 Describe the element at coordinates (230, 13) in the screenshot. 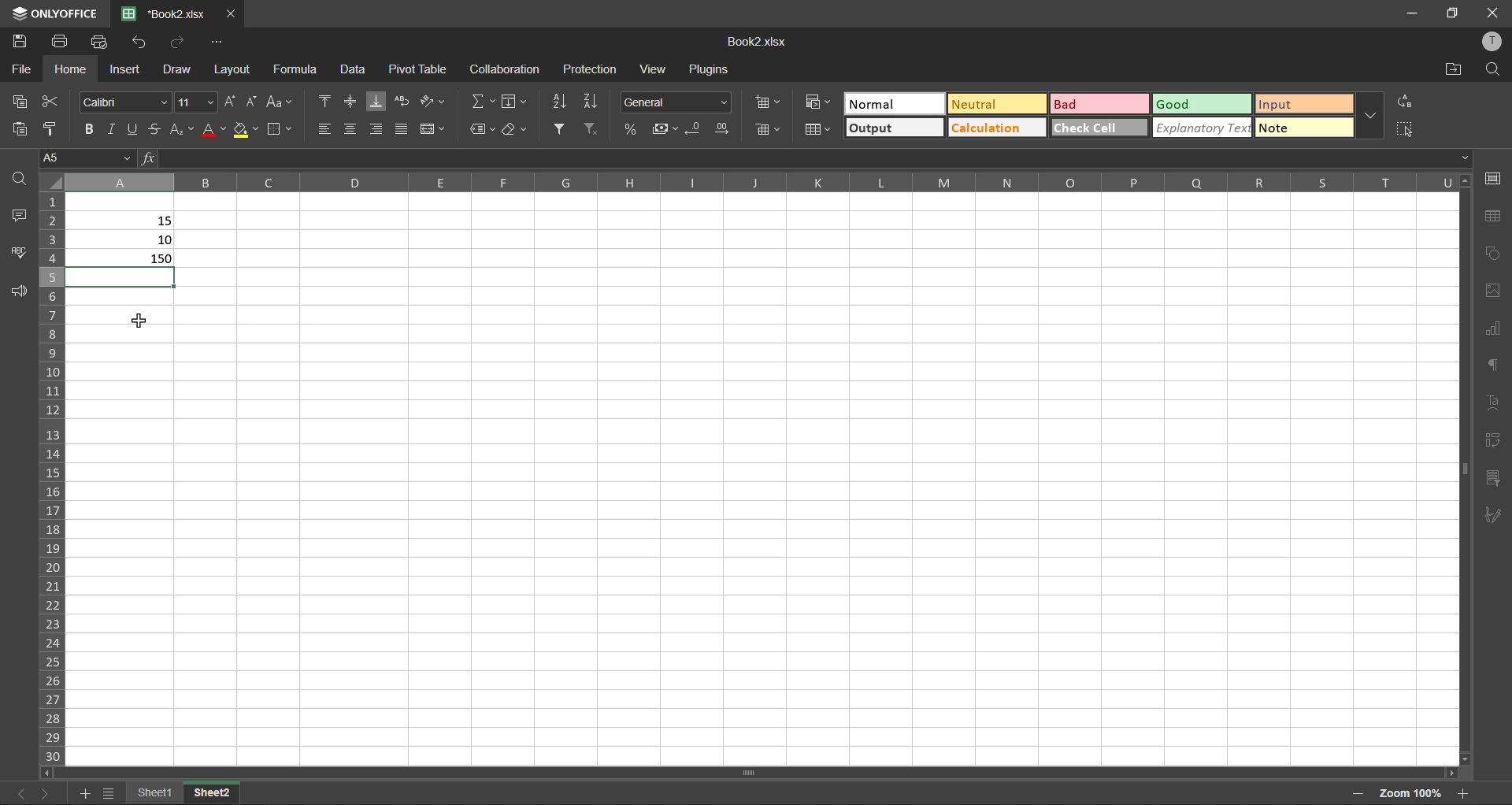

I see `close tab` at that location.